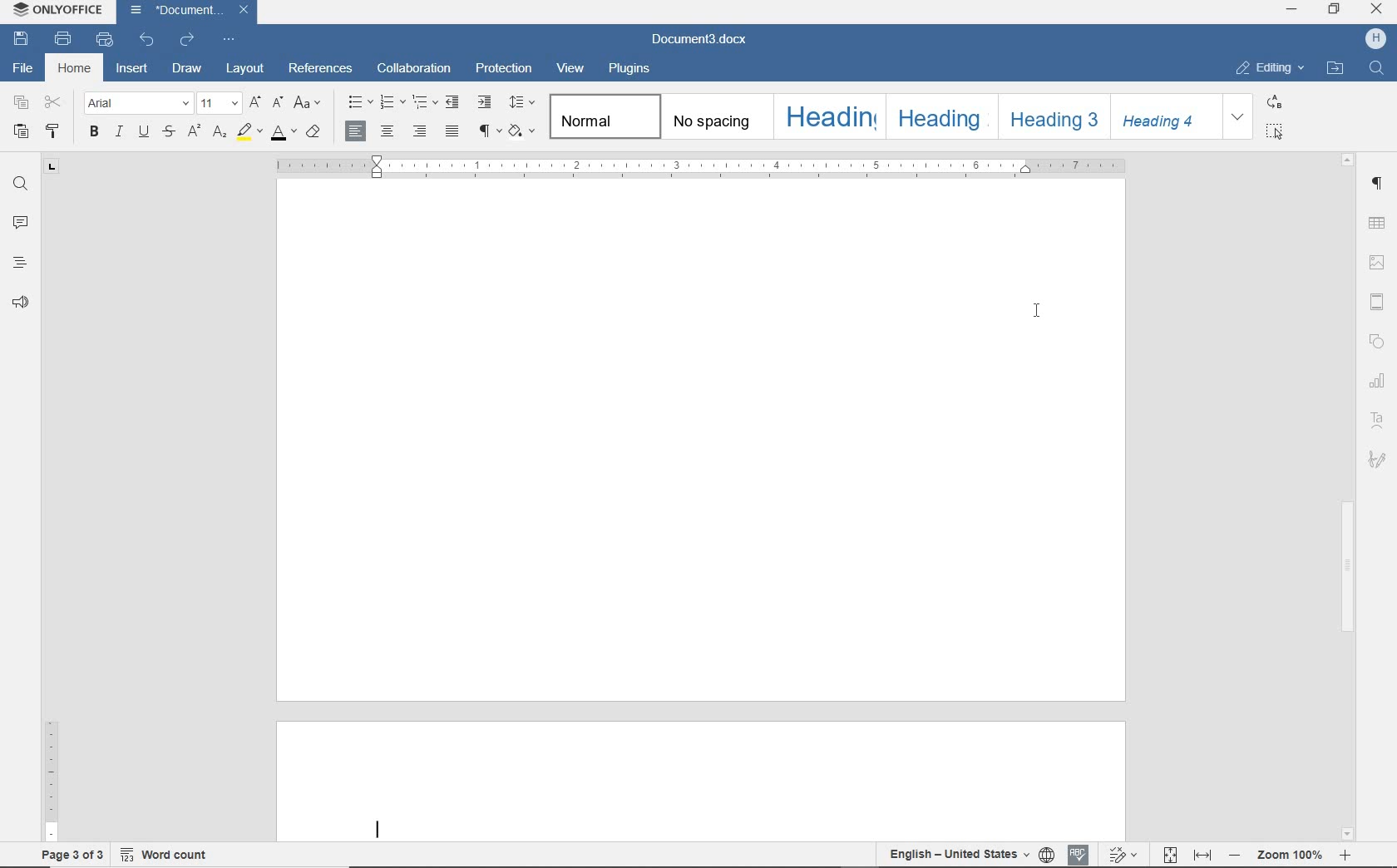 The height and width of the screenshot is (868, 1397). I want to click on PAGE 3 OF 3, so click(69, 852).